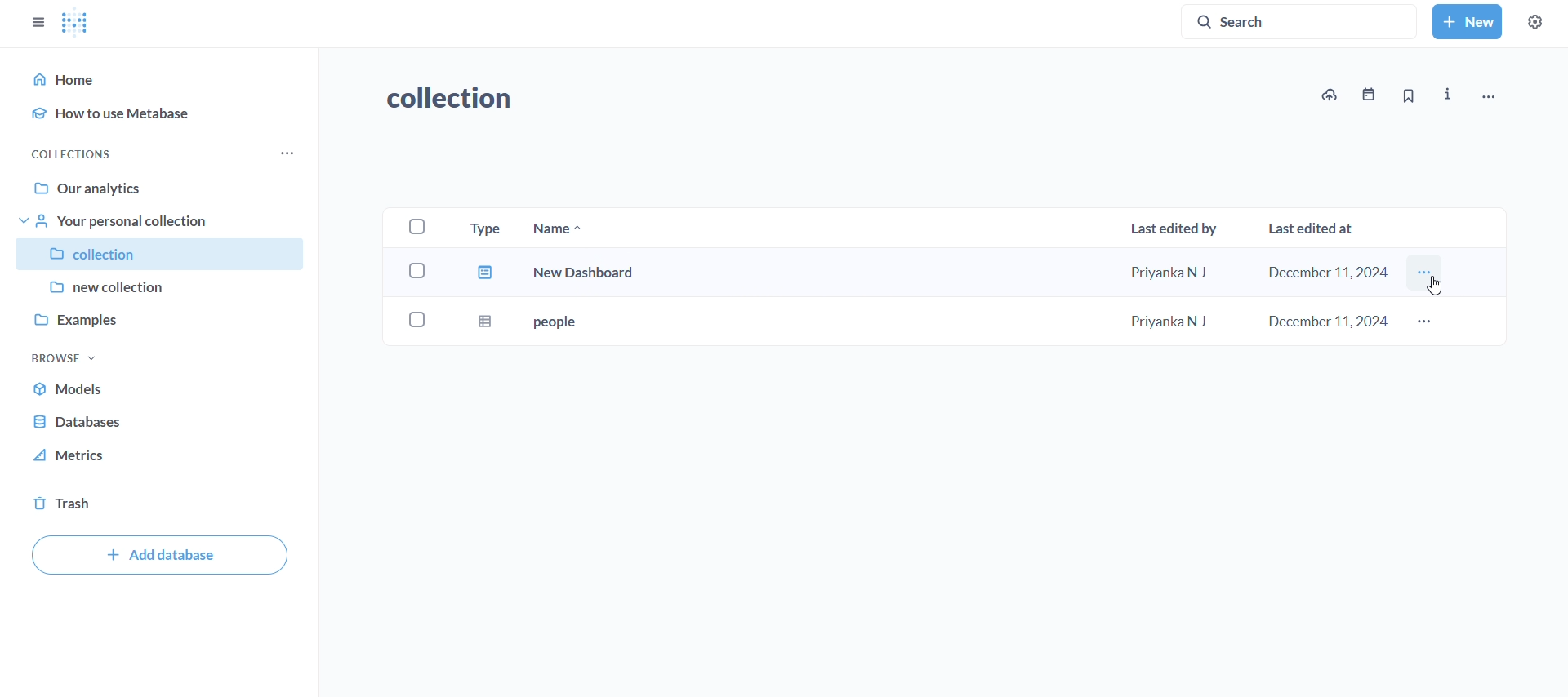 This screenshot has height=697, width=1568. What do you see at coordinates (37, 22) in the screenshot?
I see `close sidebar` at bounding box center [37, 22].